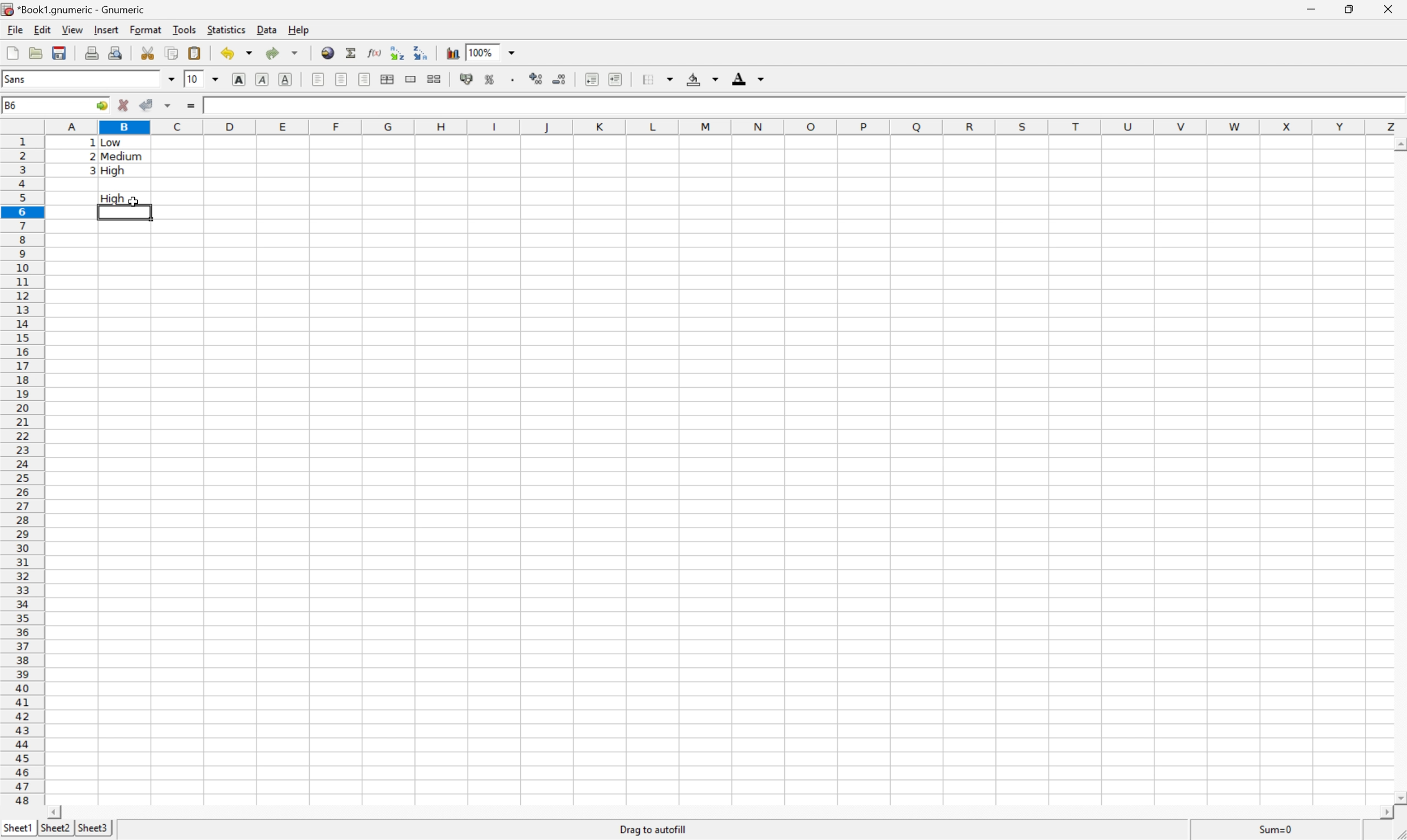  Describe the element at coordinates (114, 52) in the screenshot. I see `Print preview` at that location.